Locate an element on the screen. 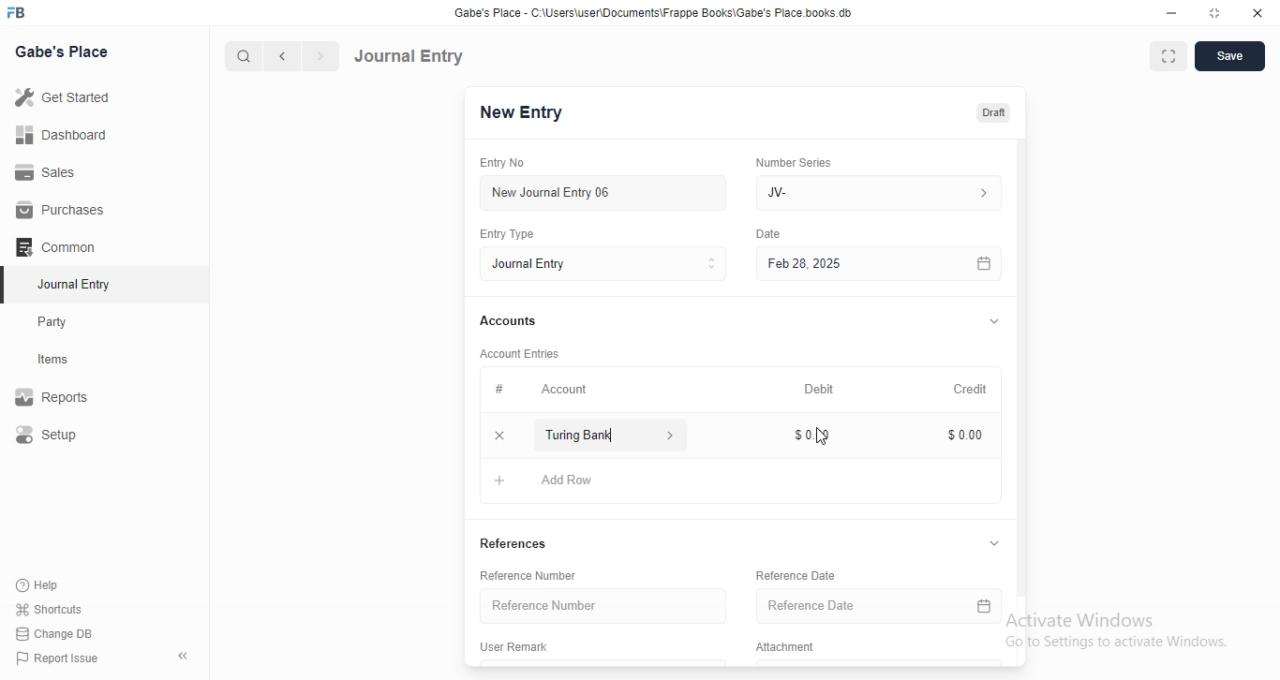 This screenshot has height=680, width=1280. ‘Account Entries. is located at coordinates (528, 352).